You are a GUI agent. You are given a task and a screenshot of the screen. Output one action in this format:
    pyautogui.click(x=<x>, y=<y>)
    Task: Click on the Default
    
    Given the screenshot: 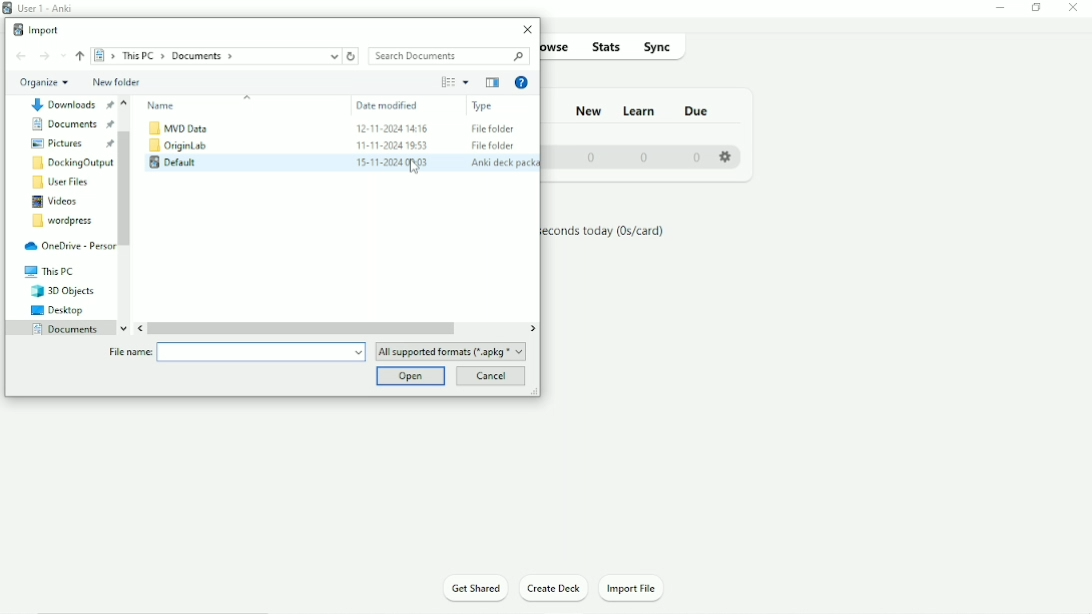 What is the action you would take?
    pyautogui.click(x=174, y=163)
    